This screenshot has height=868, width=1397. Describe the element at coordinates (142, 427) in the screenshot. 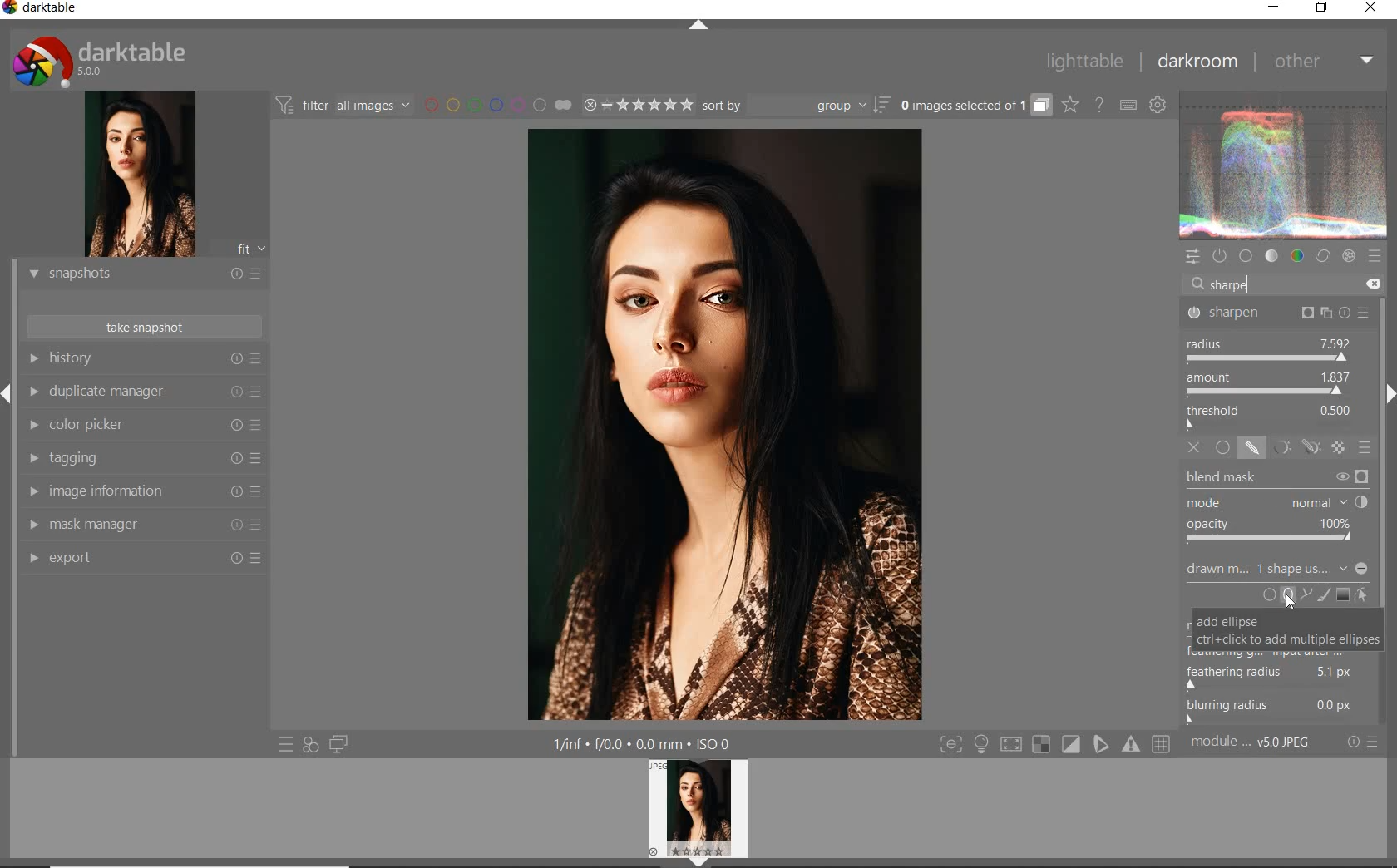

I see `COLOR PICKER` at that location.